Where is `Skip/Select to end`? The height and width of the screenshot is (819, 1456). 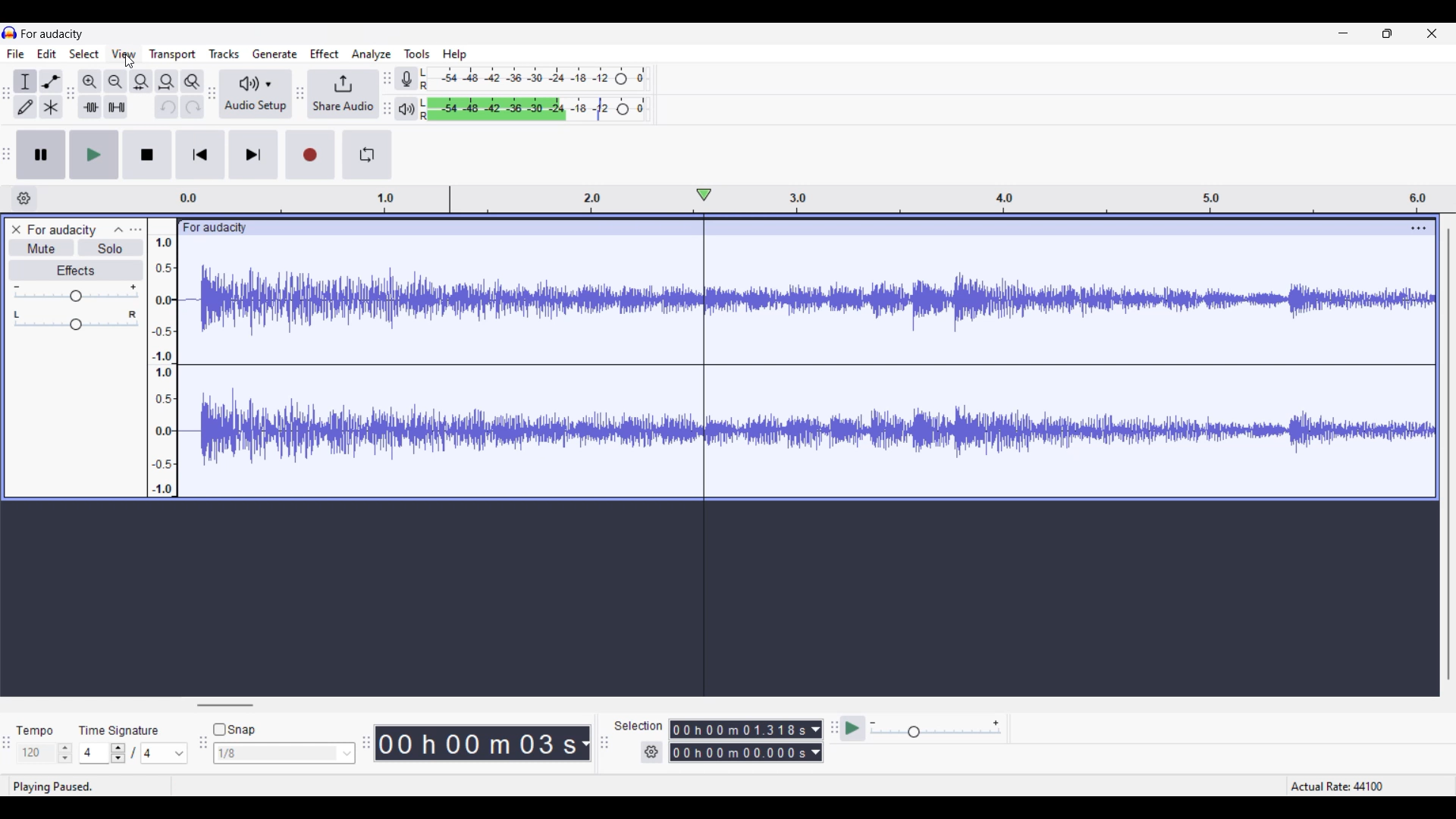
Skip/Select to end is located at coordinates (253, 155).